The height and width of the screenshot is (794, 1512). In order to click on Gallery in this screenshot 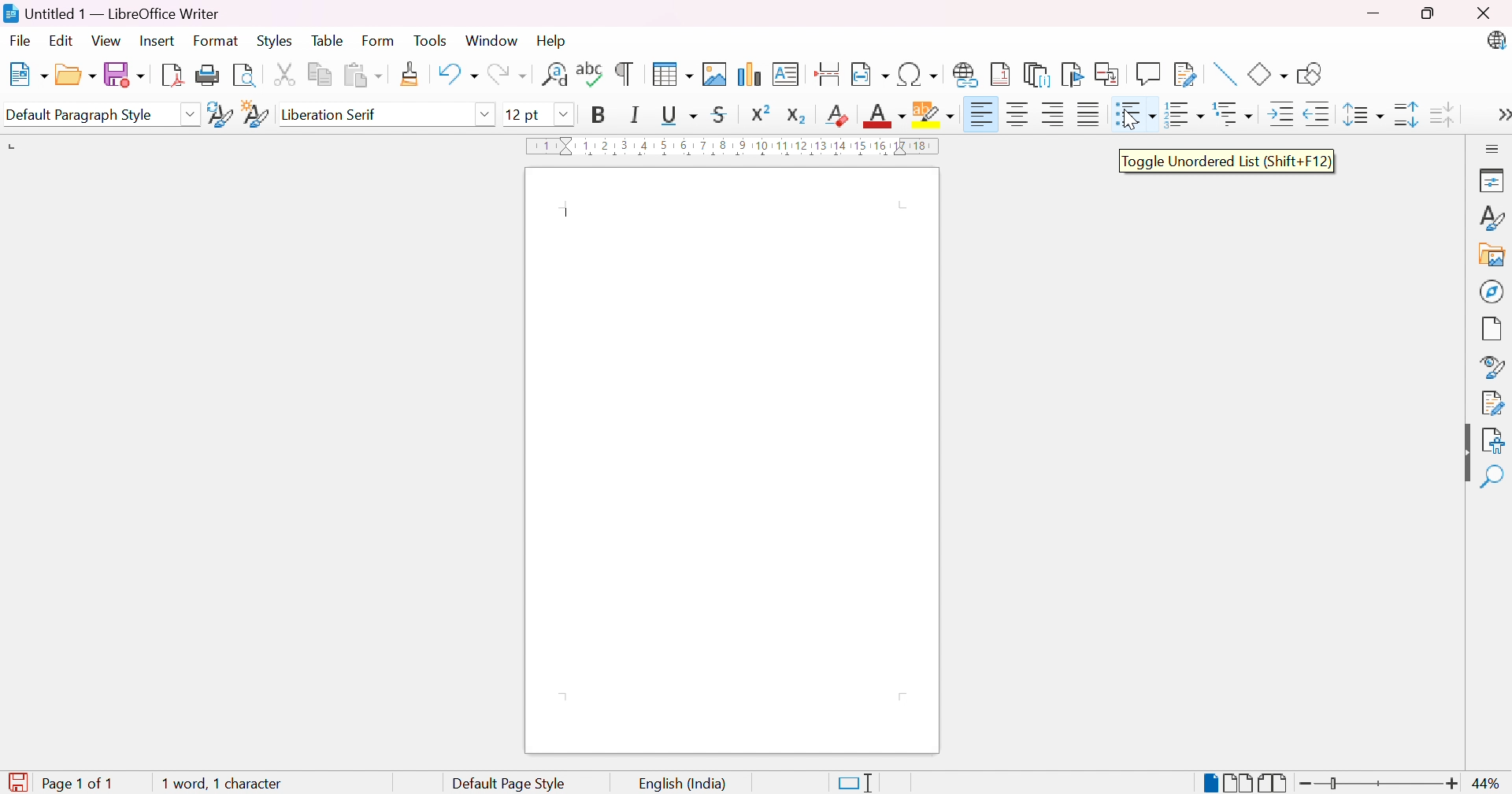, I will do `click(1492, 254)`.